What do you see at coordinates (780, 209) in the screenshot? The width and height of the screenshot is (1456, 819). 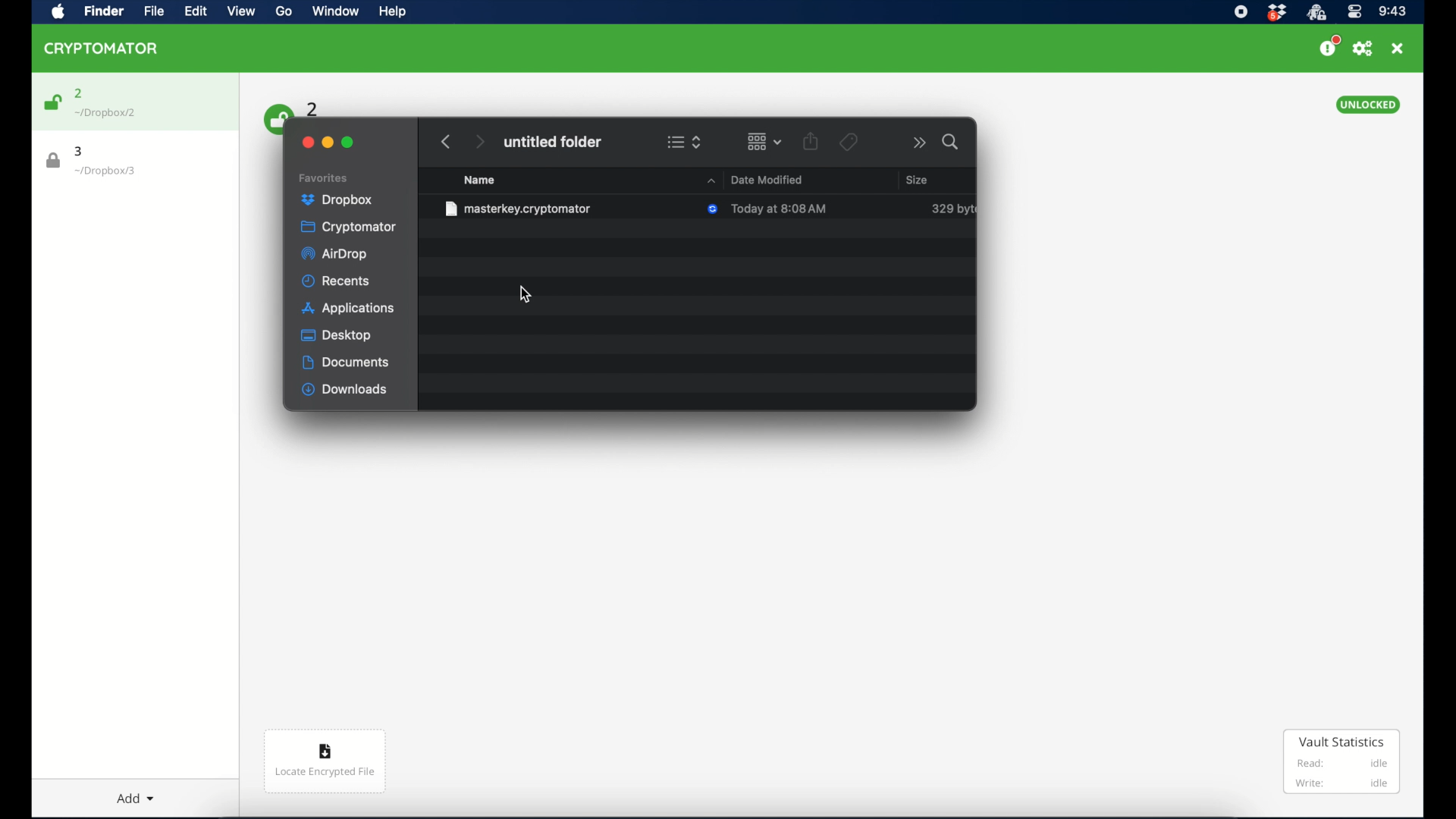 I see `date` at bounding box center [780, 209].